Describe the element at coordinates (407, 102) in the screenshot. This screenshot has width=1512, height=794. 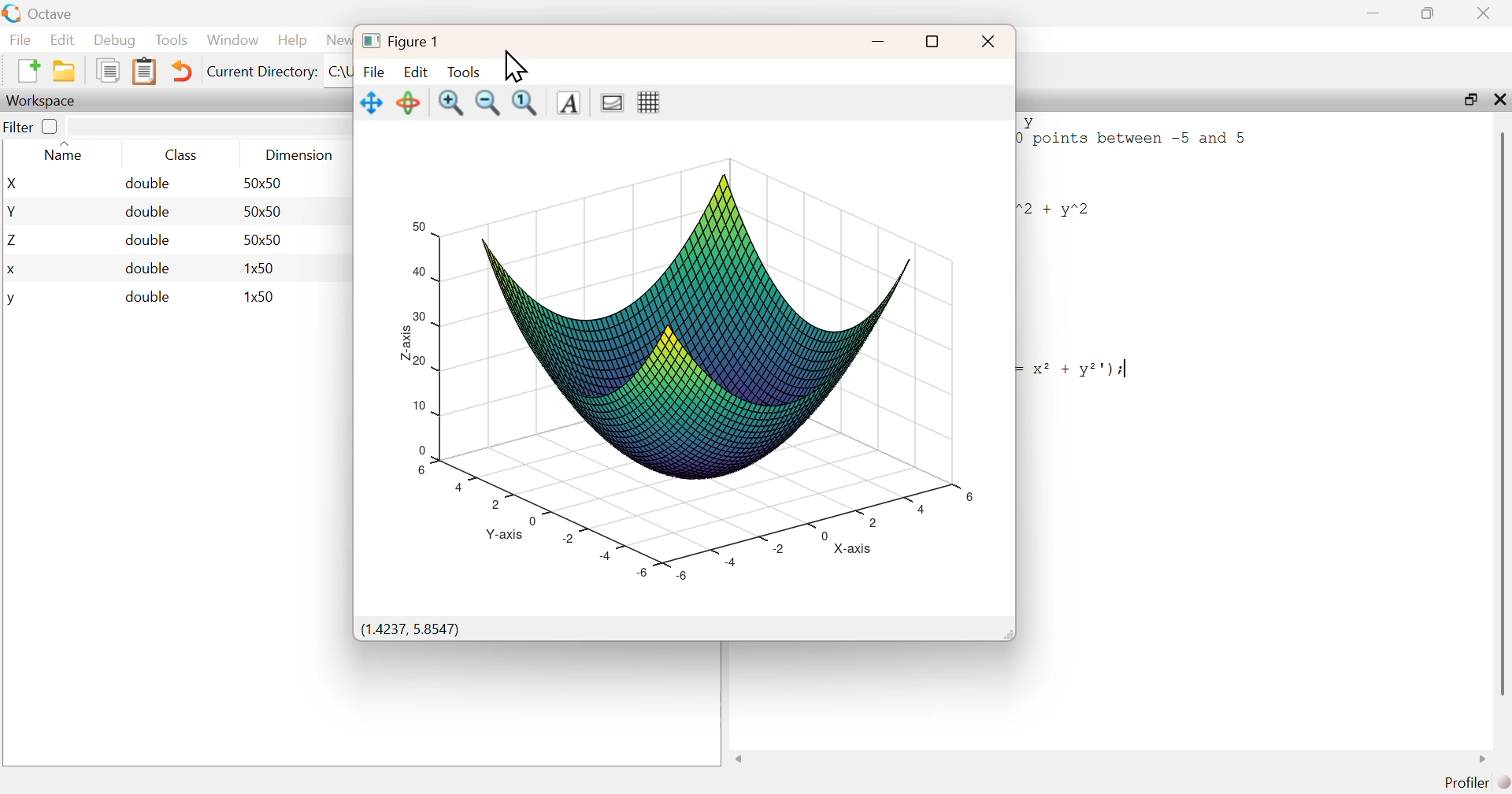
I see `Rotate` at that location.